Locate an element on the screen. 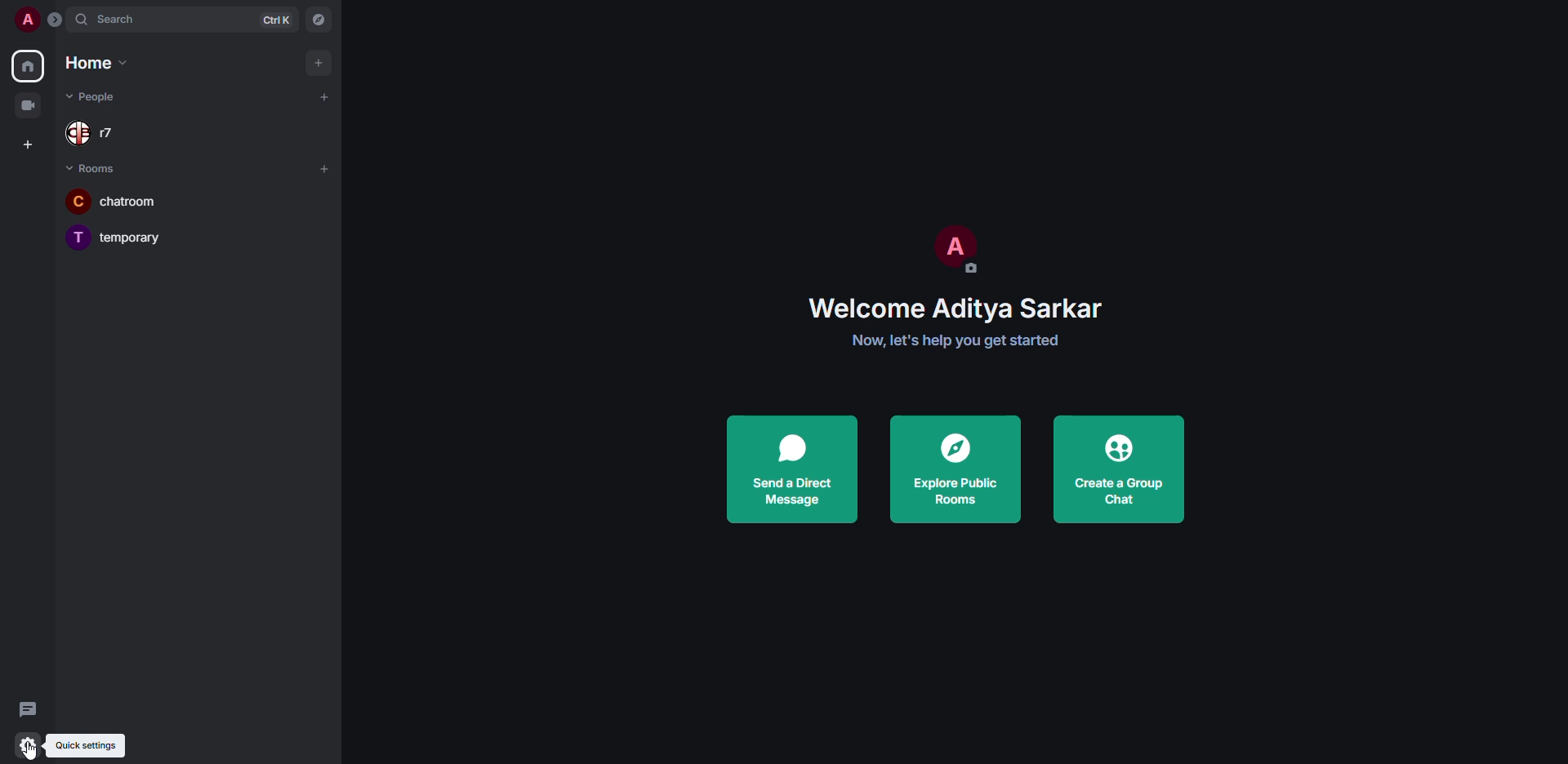 The width and height of the screenshot is (1568, 764). room is located at coordinates (125, 234).